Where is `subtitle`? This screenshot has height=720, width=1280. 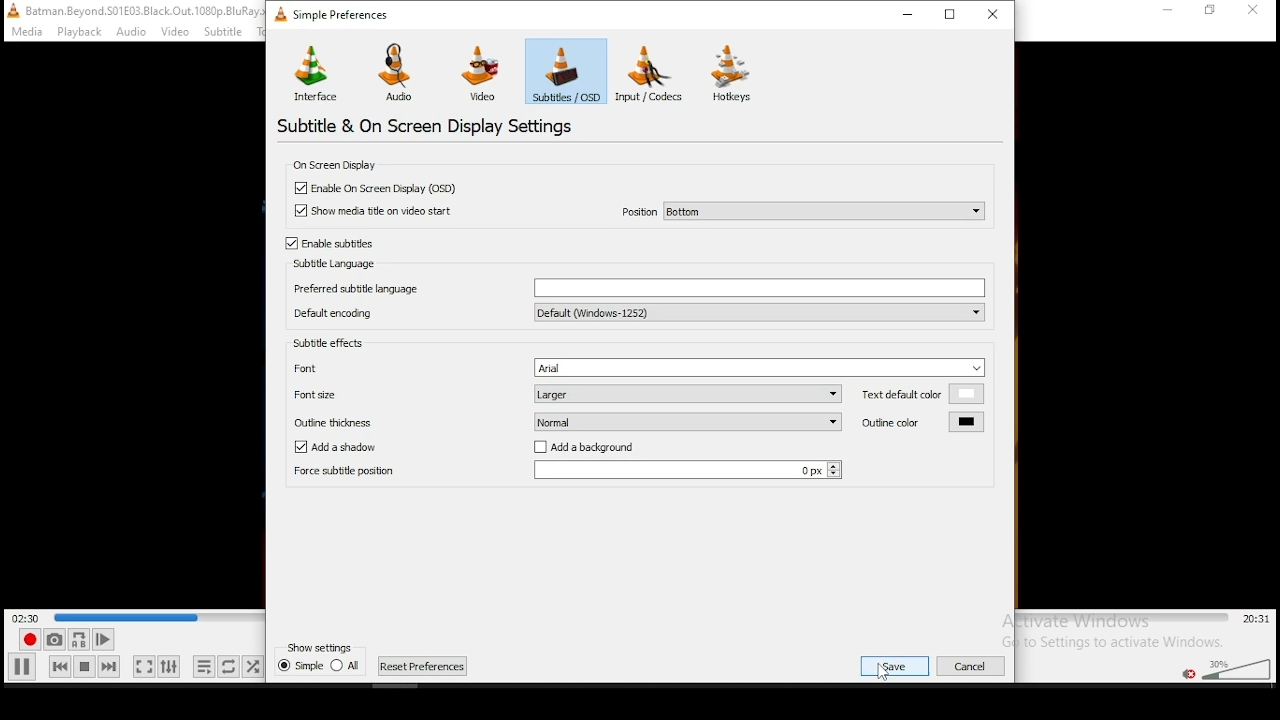
subtitle is located at coordinates (221, 32).